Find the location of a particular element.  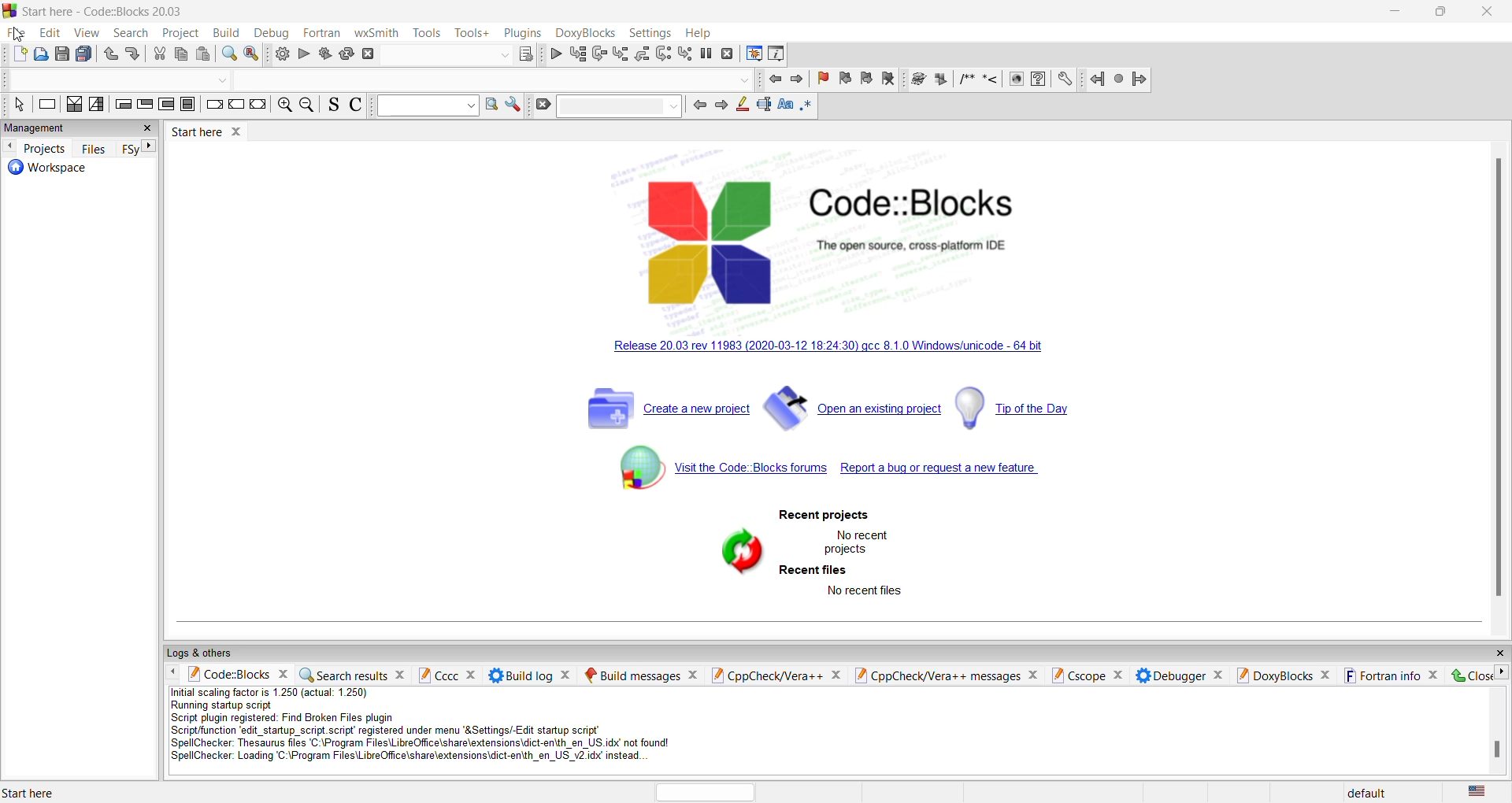

close is located at coordinates (1490, 13).